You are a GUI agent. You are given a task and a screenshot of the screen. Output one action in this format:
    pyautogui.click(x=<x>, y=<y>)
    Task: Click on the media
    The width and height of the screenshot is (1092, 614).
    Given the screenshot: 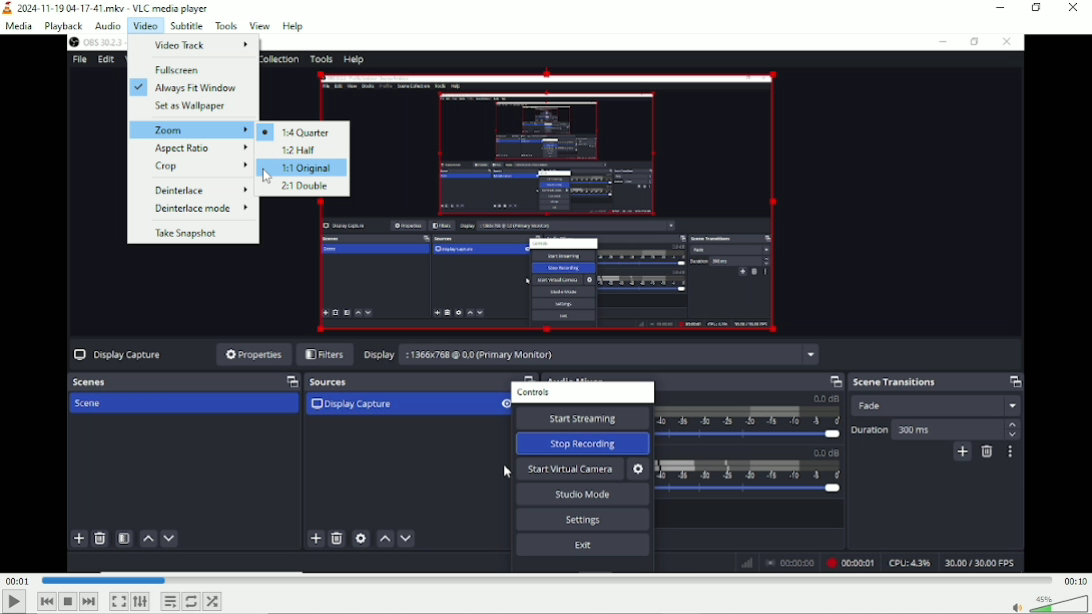 What is the action you would take?
    pyautogui.click(x=21, y=26)
    